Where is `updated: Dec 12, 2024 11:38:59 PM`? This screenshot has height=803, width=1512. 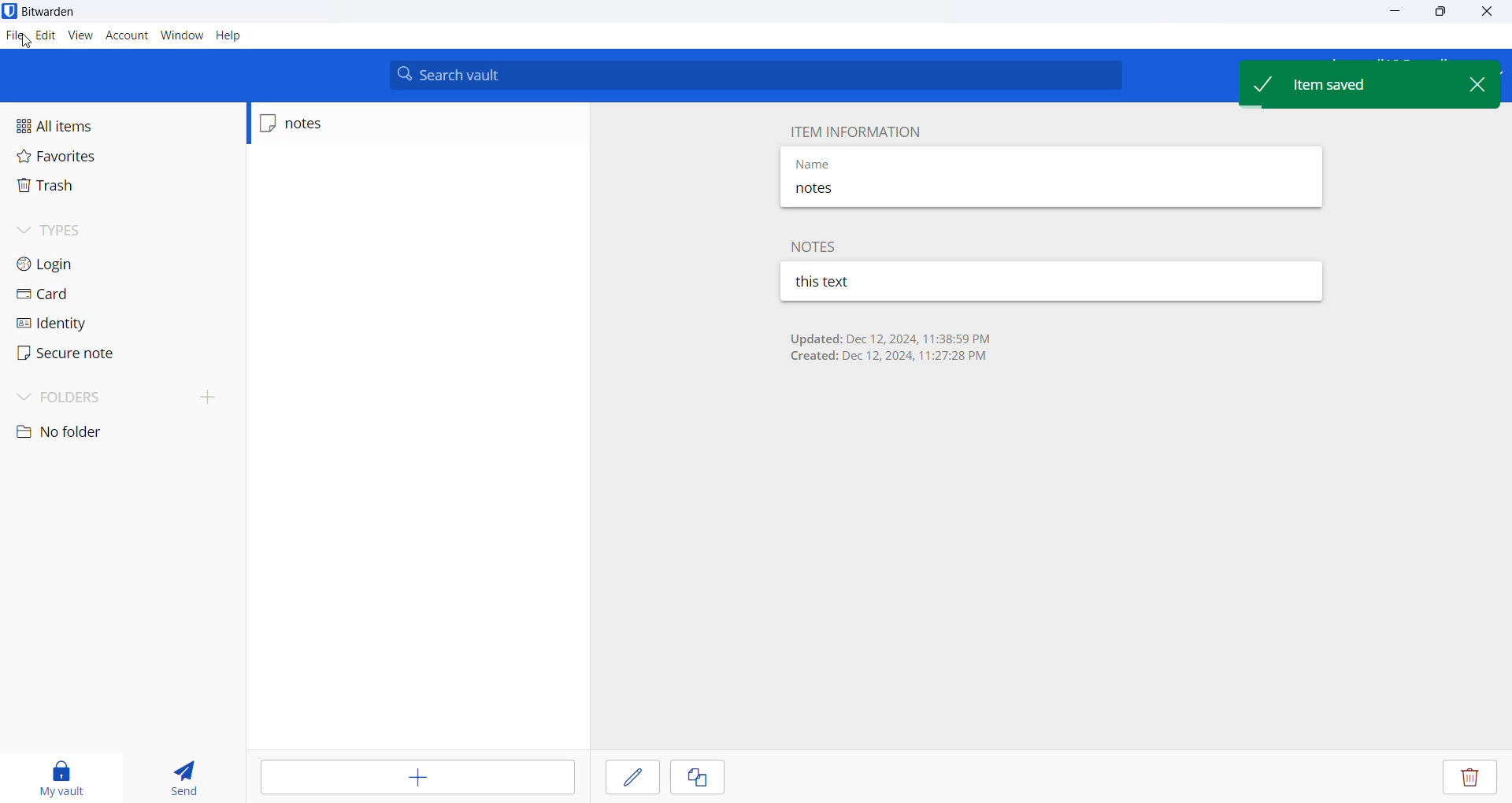
updated: Dec 12, 2024 11:38:59 PM is located at coordinates (889, 338).